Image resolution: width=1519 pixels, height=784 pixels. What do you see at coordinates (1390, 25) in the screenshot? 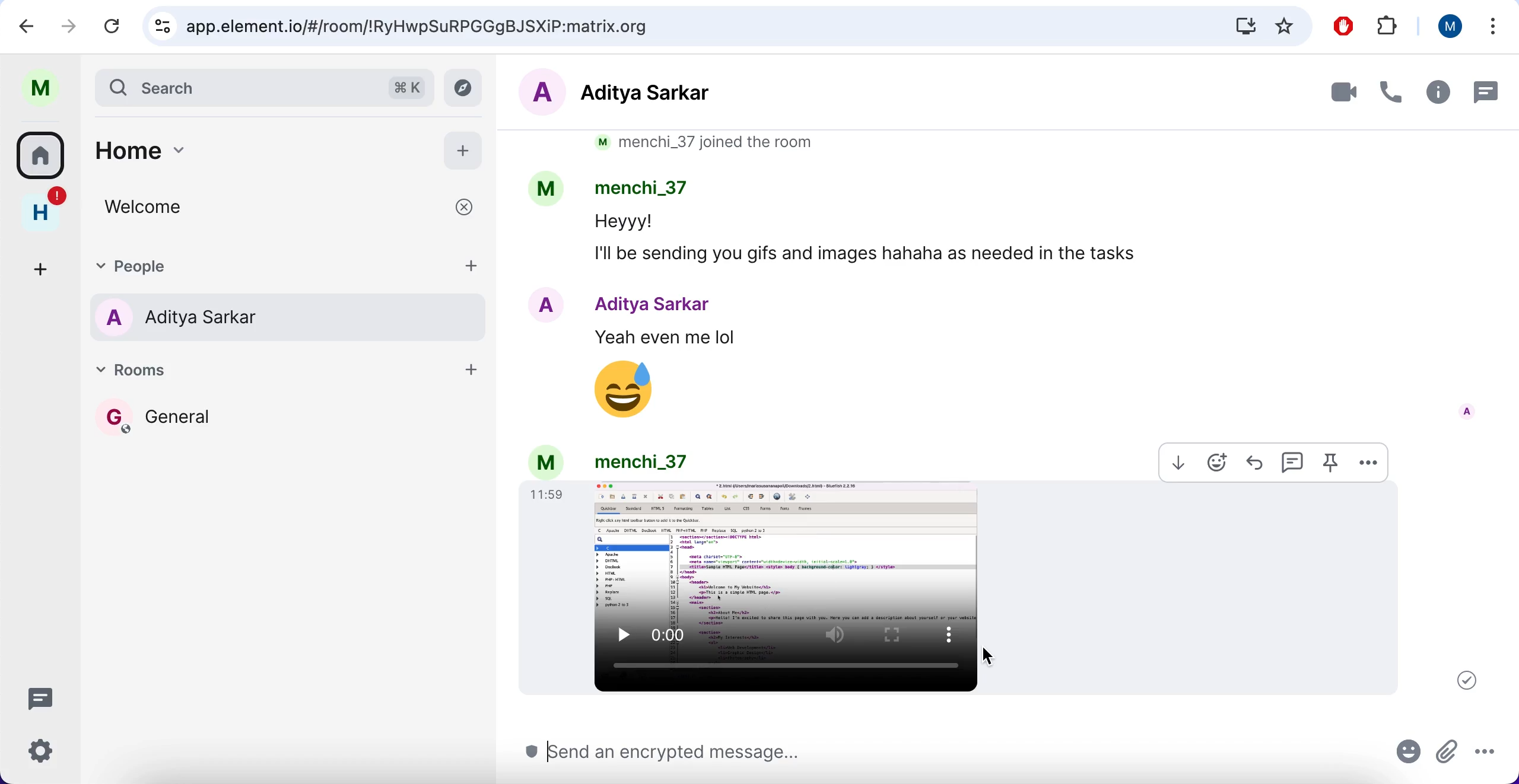
I see `extensions` at bounding box center [1390, 25].